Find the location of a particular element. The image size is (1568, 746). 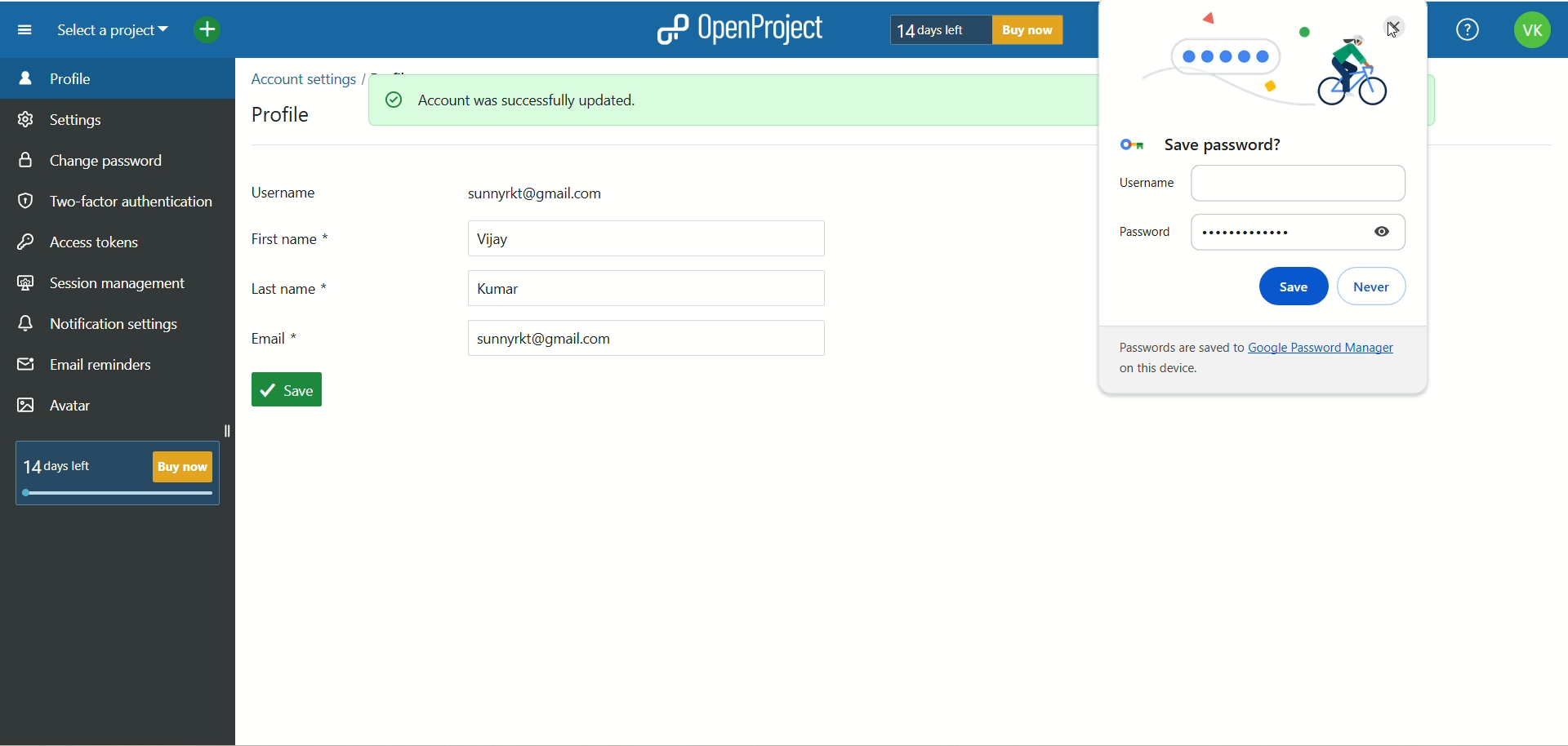

avatar is located at coordinates (56, 406).